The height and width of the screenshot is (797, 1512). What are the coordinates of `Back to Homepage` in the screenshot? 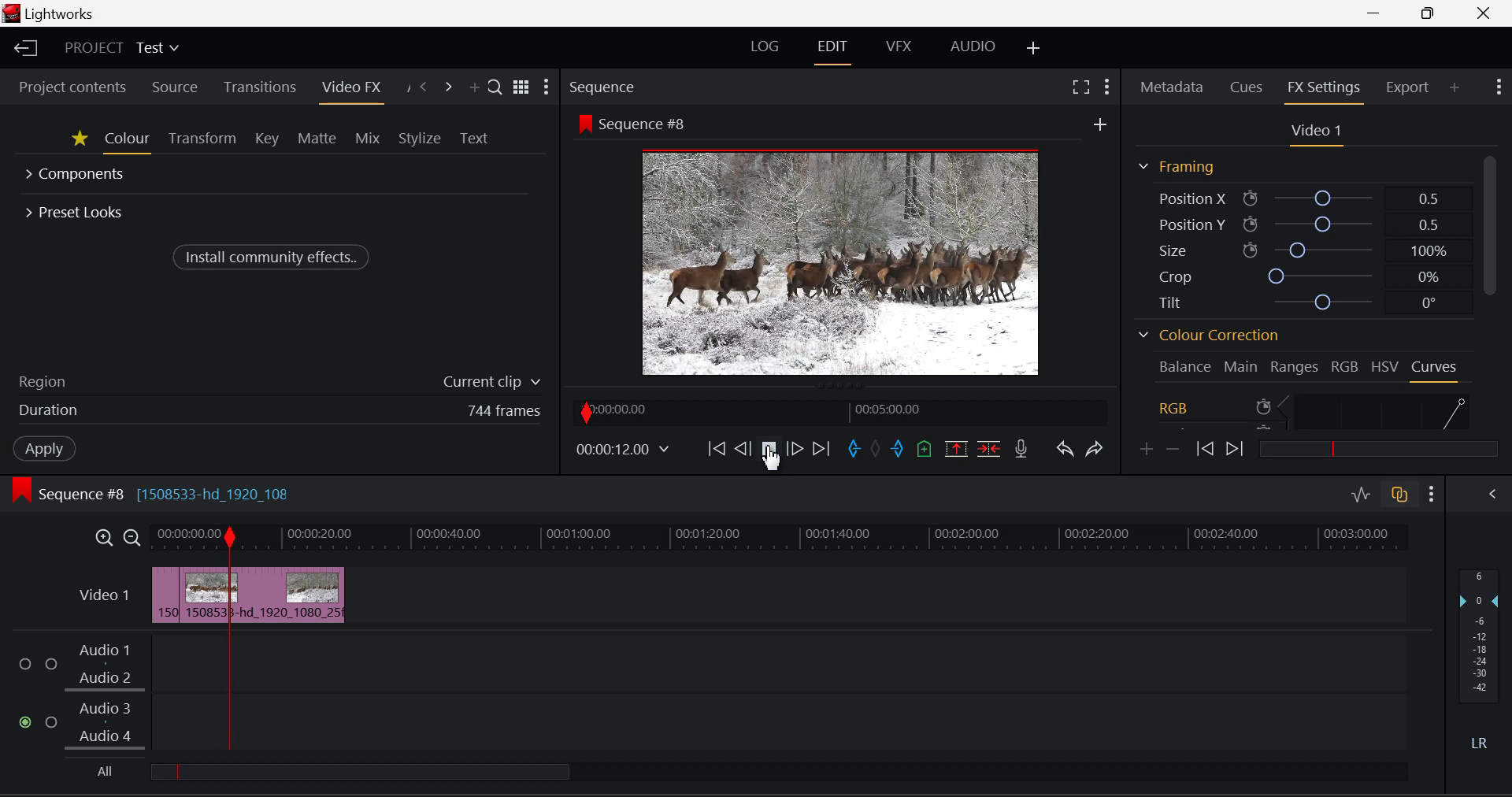 It's located at (23, 48).